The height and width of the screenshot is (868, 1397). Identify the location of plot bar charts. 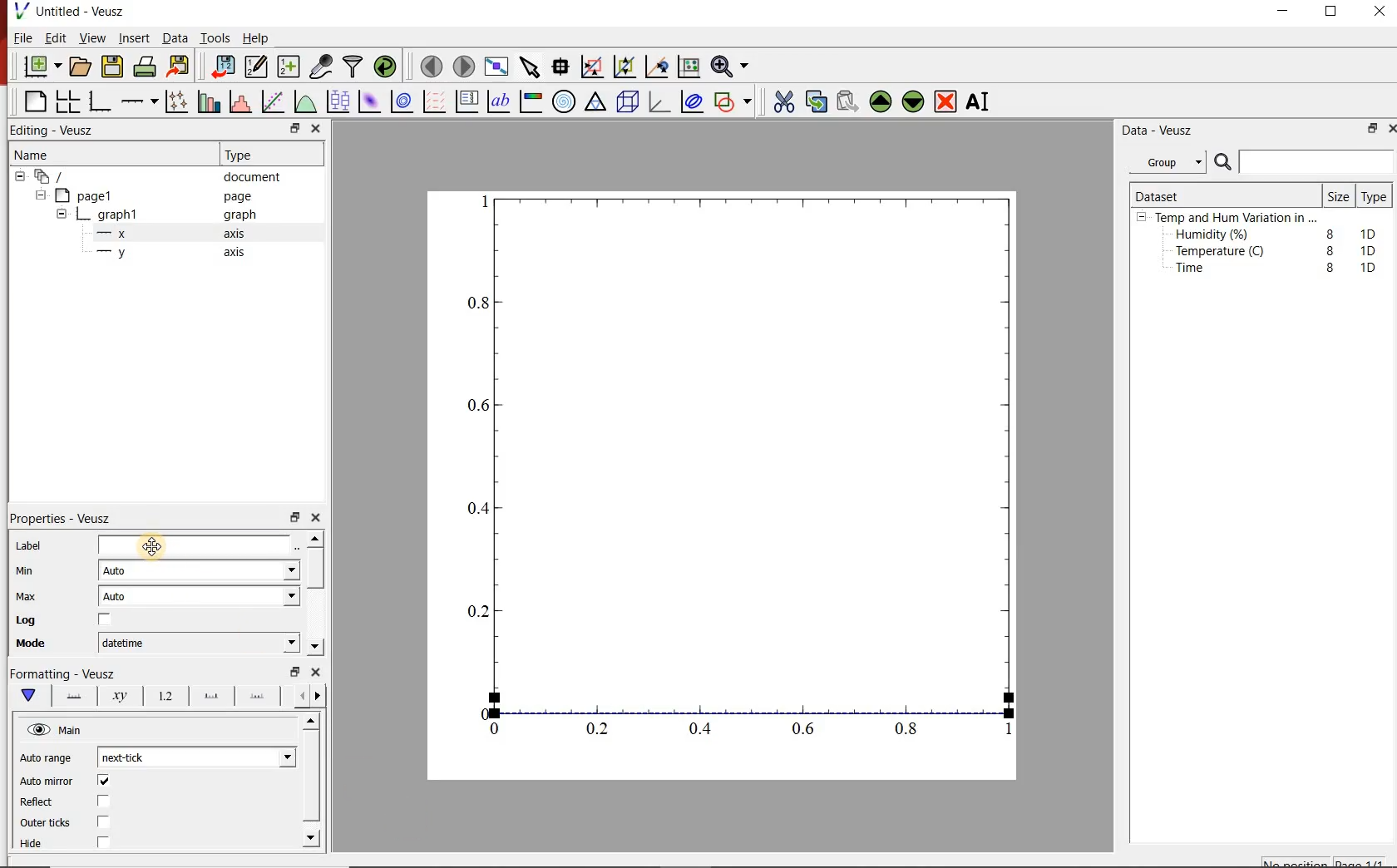
(210, 99).